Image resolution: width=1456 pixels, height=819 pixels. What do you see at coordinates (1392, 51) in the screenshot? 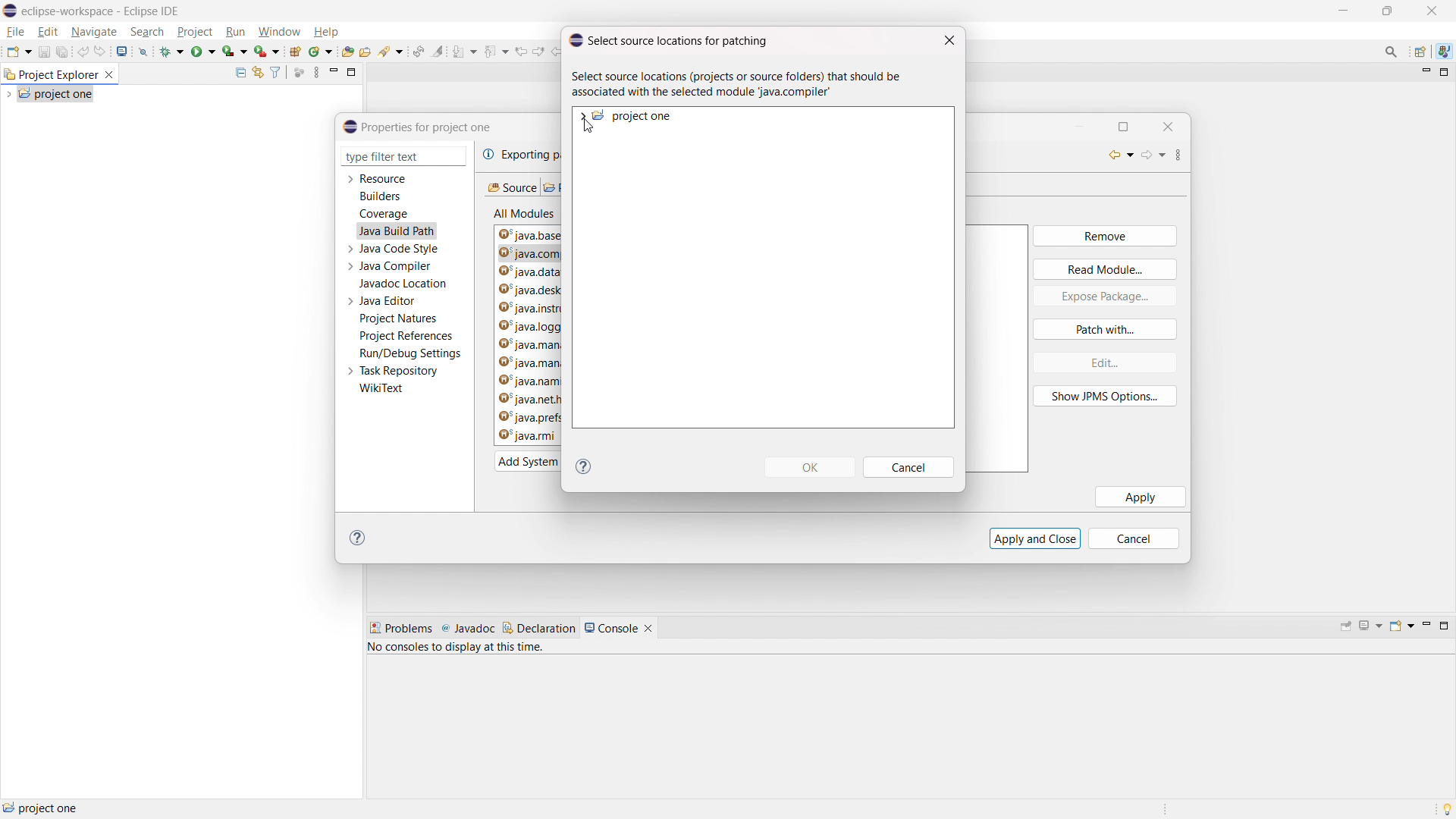
I see `access commands and other items` at bounding box center [1392, 51].